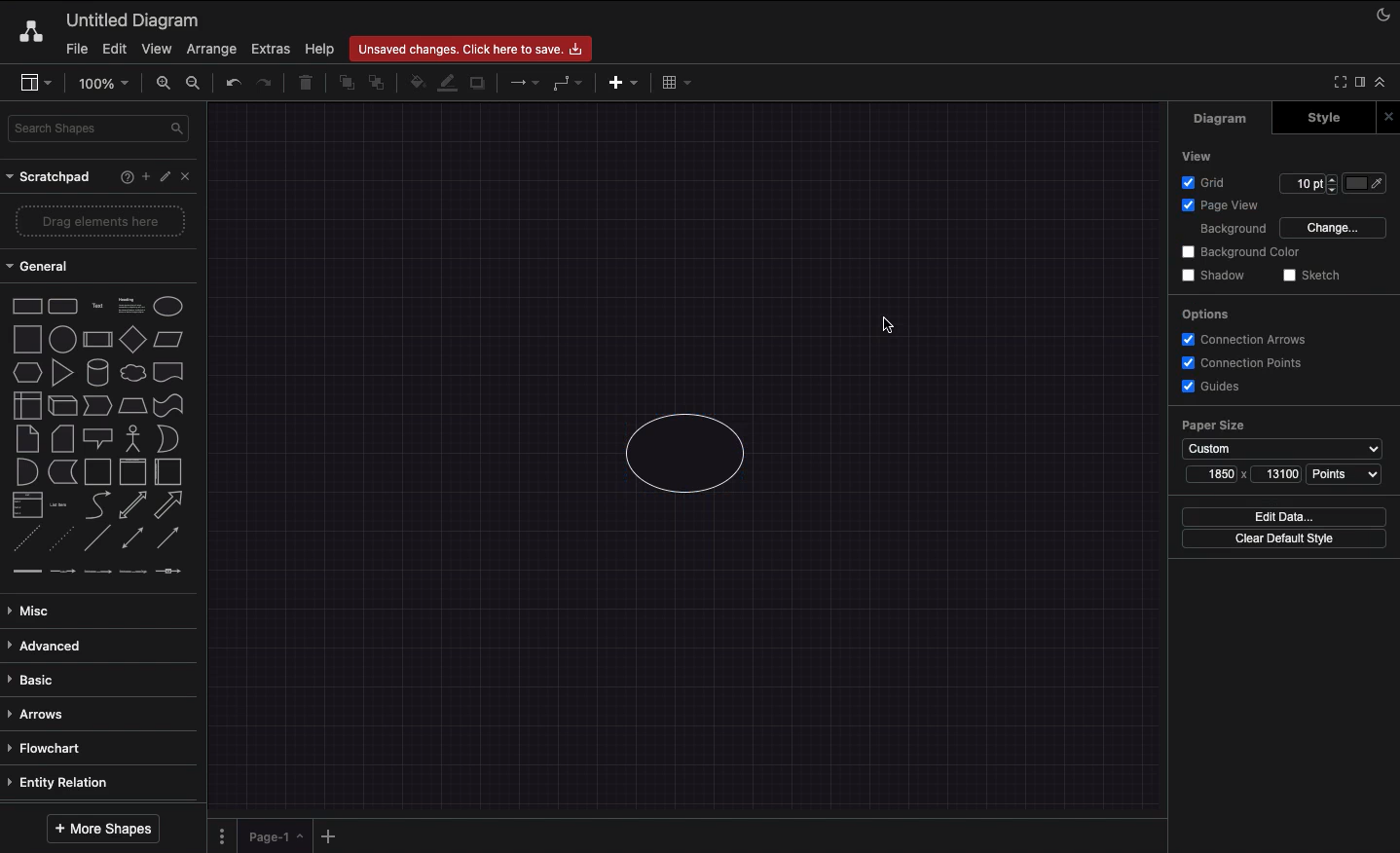 The height and width of the screenshot is (853, 1400). Describe the element at coordinates (97, 539) in the screenshot. I see `Line` at that location.